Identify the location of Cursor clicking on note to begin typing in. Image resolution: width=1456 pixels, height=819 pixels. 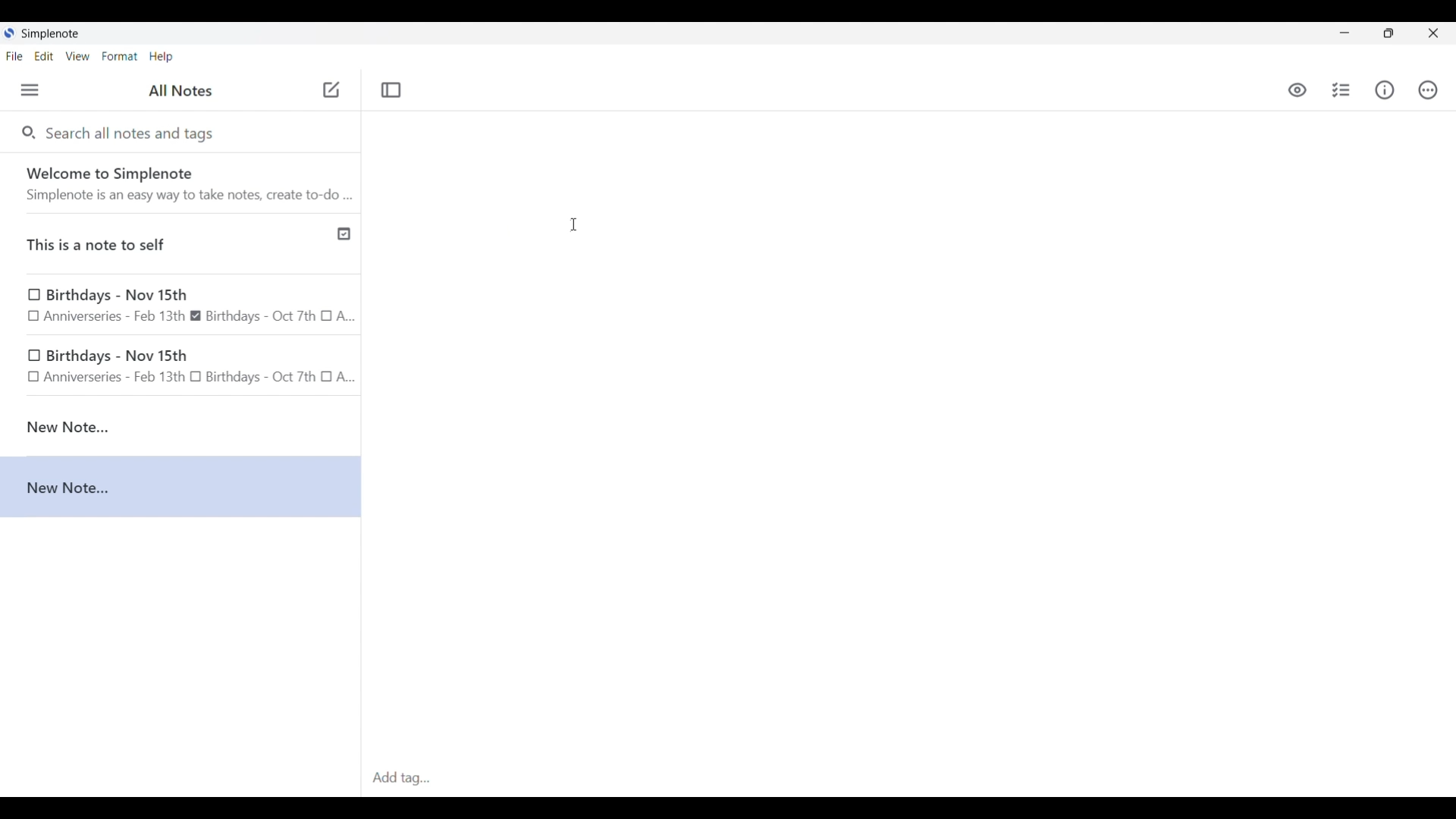
(574, 224).